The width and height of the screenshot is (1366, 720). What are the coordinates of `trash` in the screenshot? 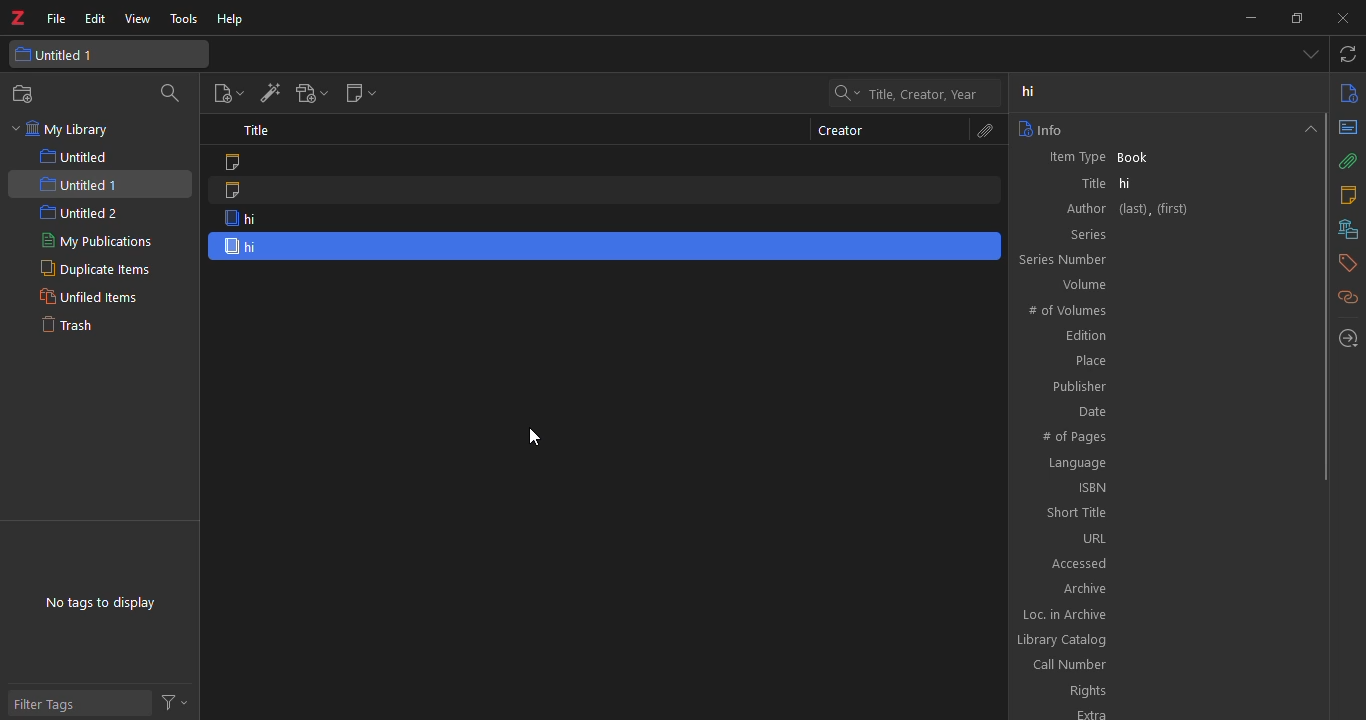 It's located at (66, 326).